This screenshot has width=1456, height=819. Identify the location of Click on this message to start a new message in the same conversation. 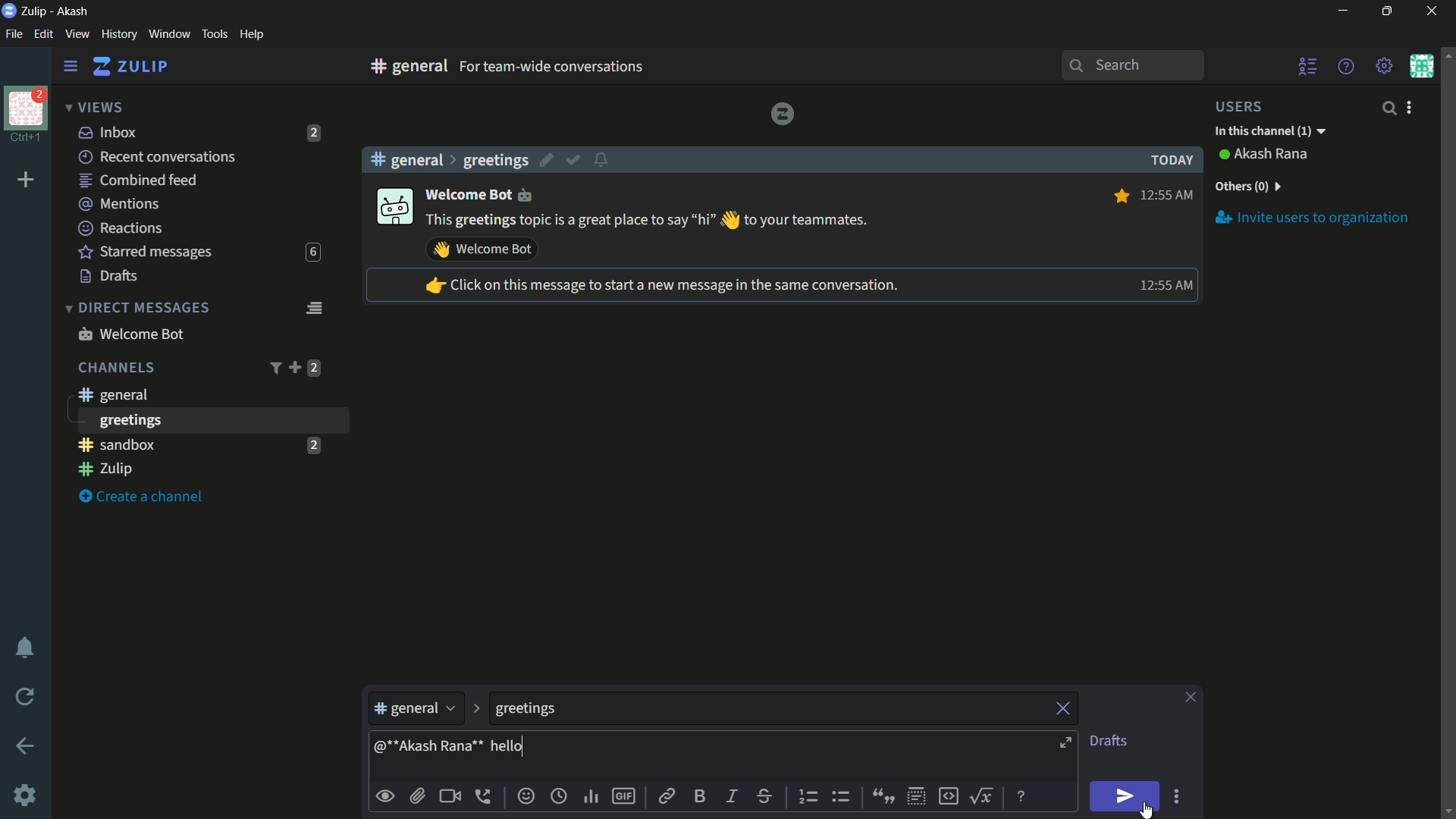
(661, 287).